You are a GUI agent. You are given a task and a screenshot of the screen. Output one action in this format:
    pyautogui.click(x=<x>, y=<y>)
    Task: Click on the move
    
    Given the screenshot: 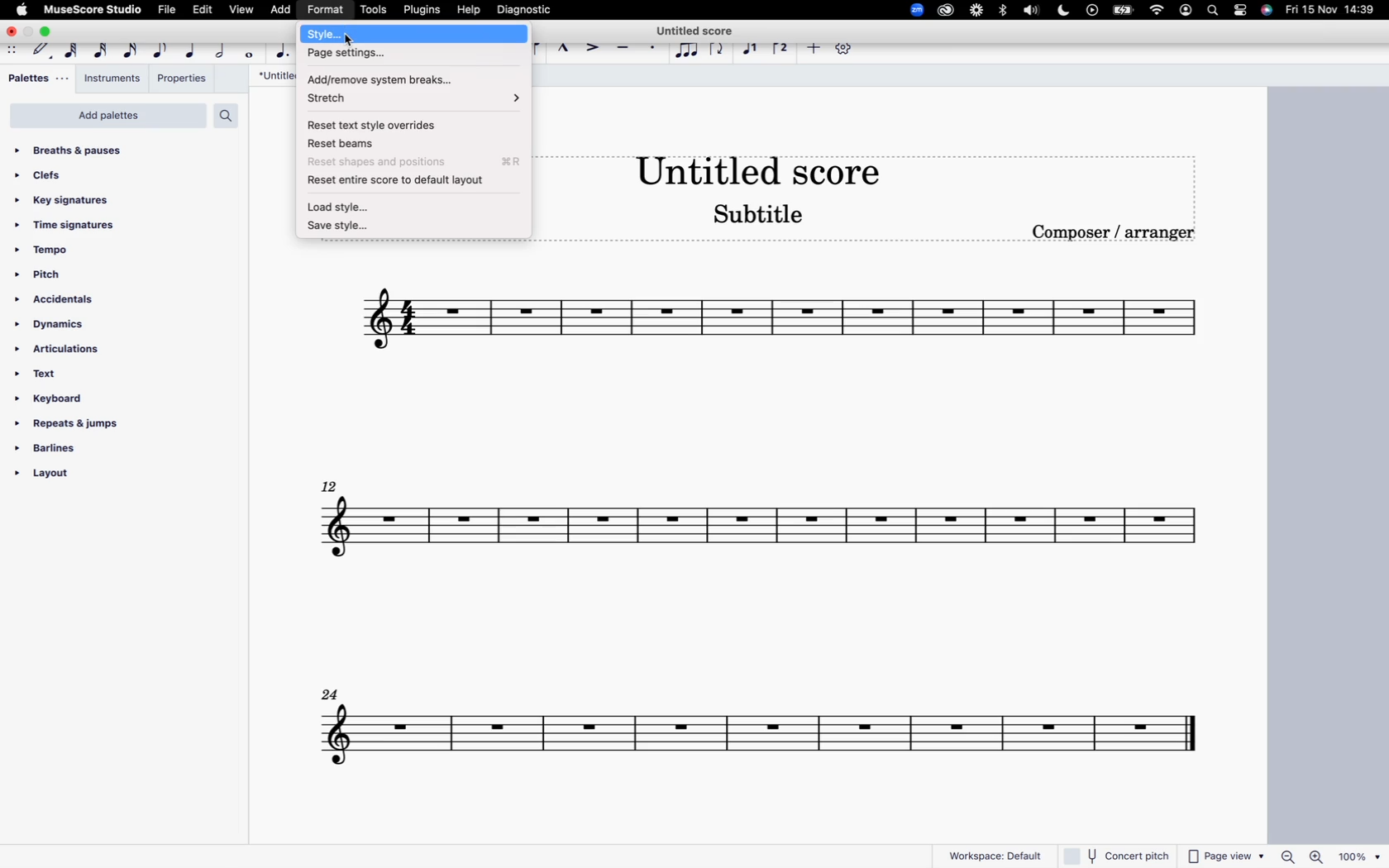 What is the action you would take?
    pyautogui.click(x=12, y=52)
    